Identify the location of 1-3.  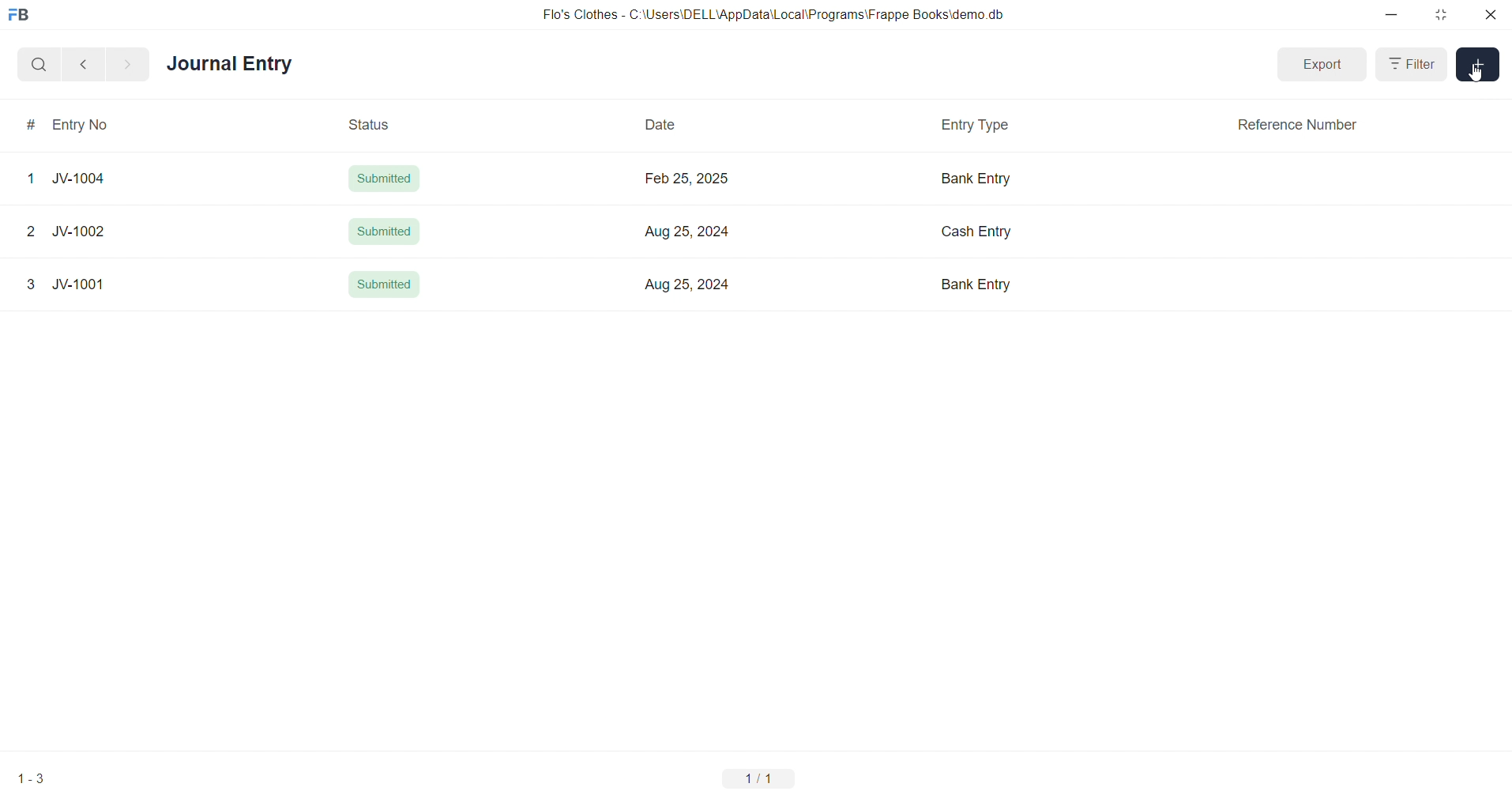
(28, 780).